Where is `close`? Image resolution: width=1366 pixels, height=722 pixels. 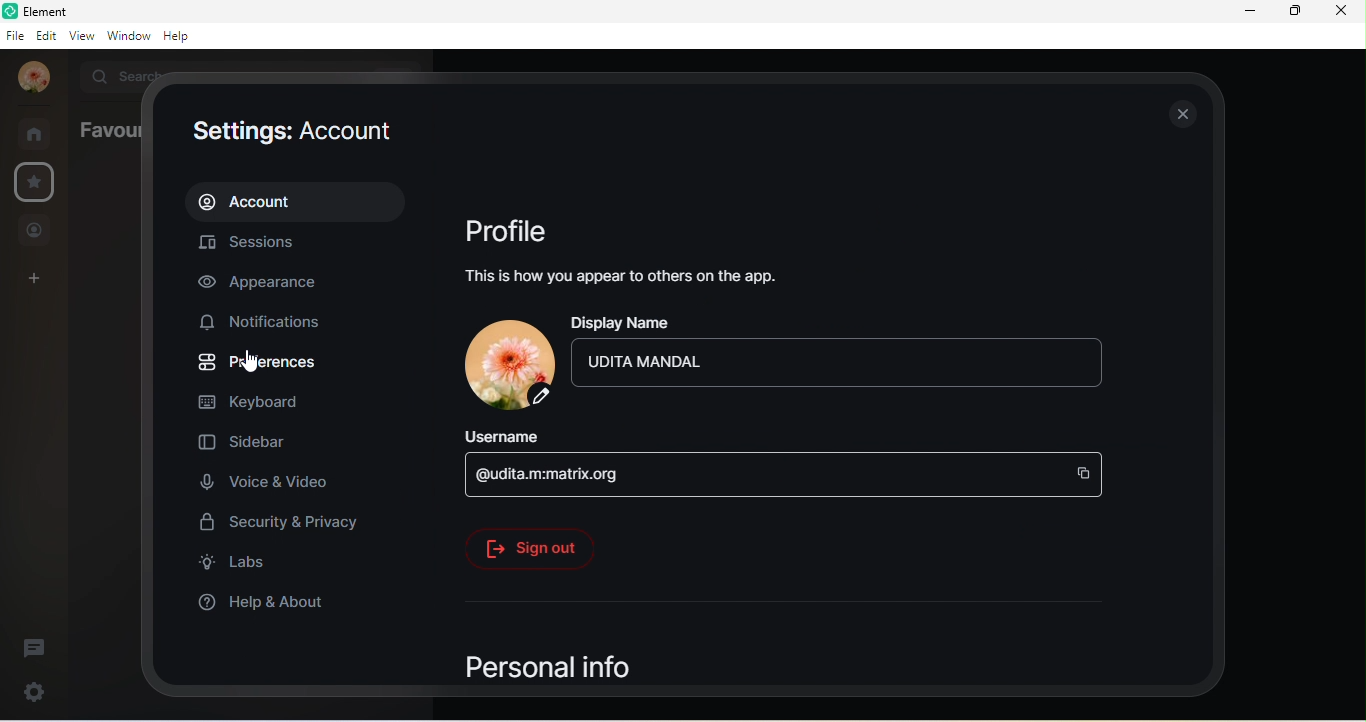
close is located at coordinates (1343, 12).